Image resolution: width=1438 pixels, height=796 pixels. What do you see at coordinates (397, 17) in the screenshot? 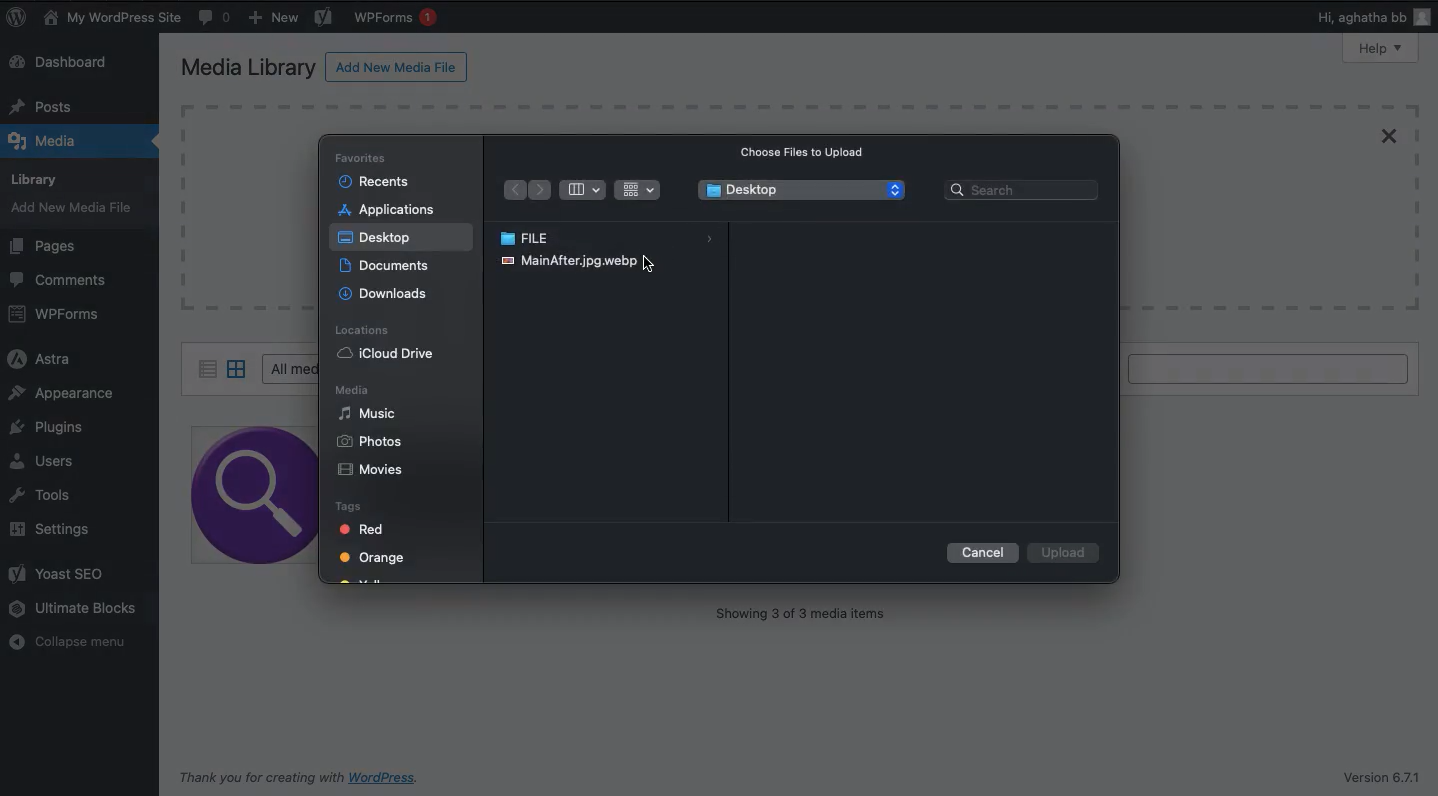
I see `WPForms` at bounding box center [397, 17].